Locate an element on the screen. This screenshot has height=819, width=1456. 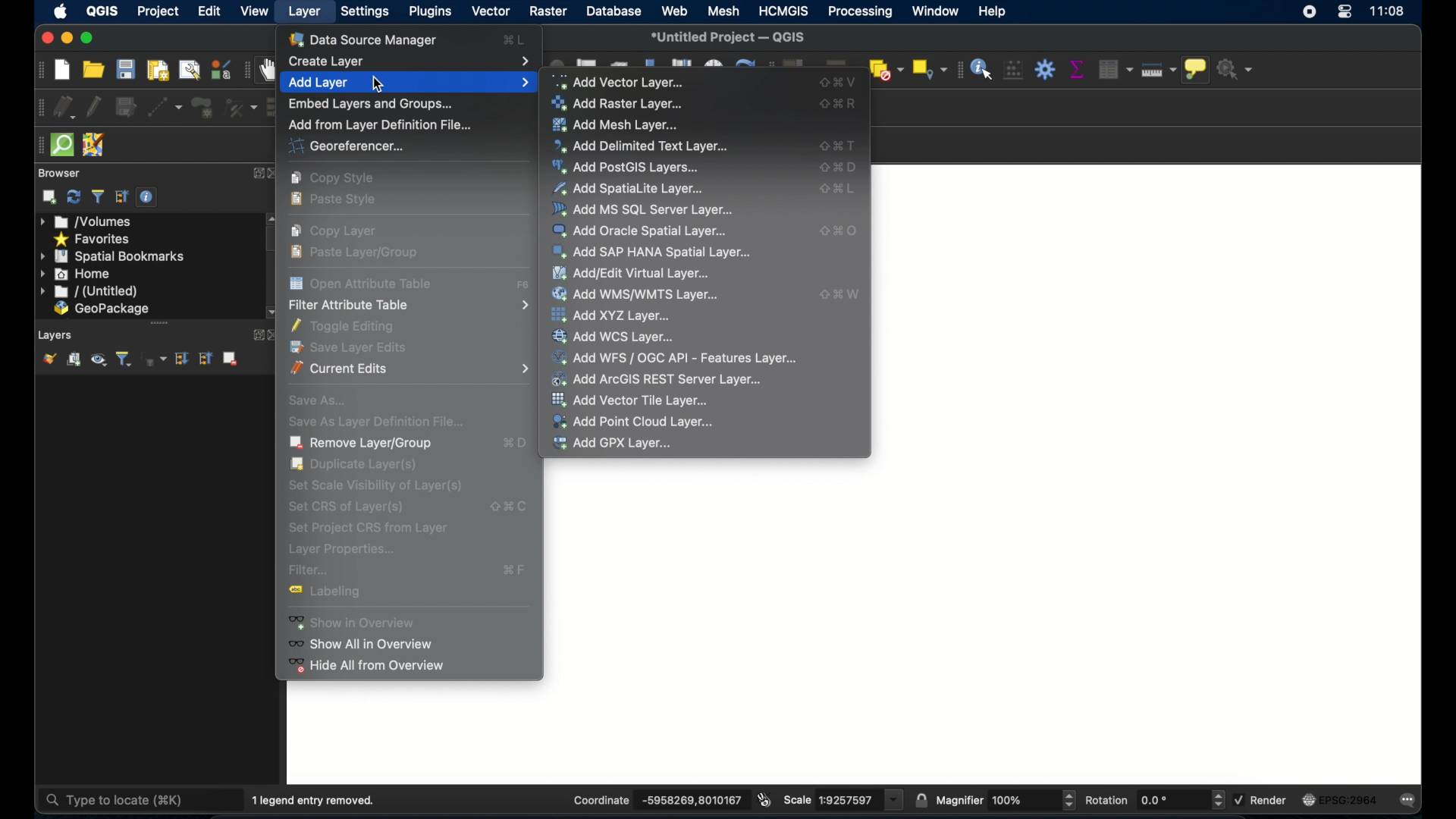
addresser layer is located at coordinates (618, 104).